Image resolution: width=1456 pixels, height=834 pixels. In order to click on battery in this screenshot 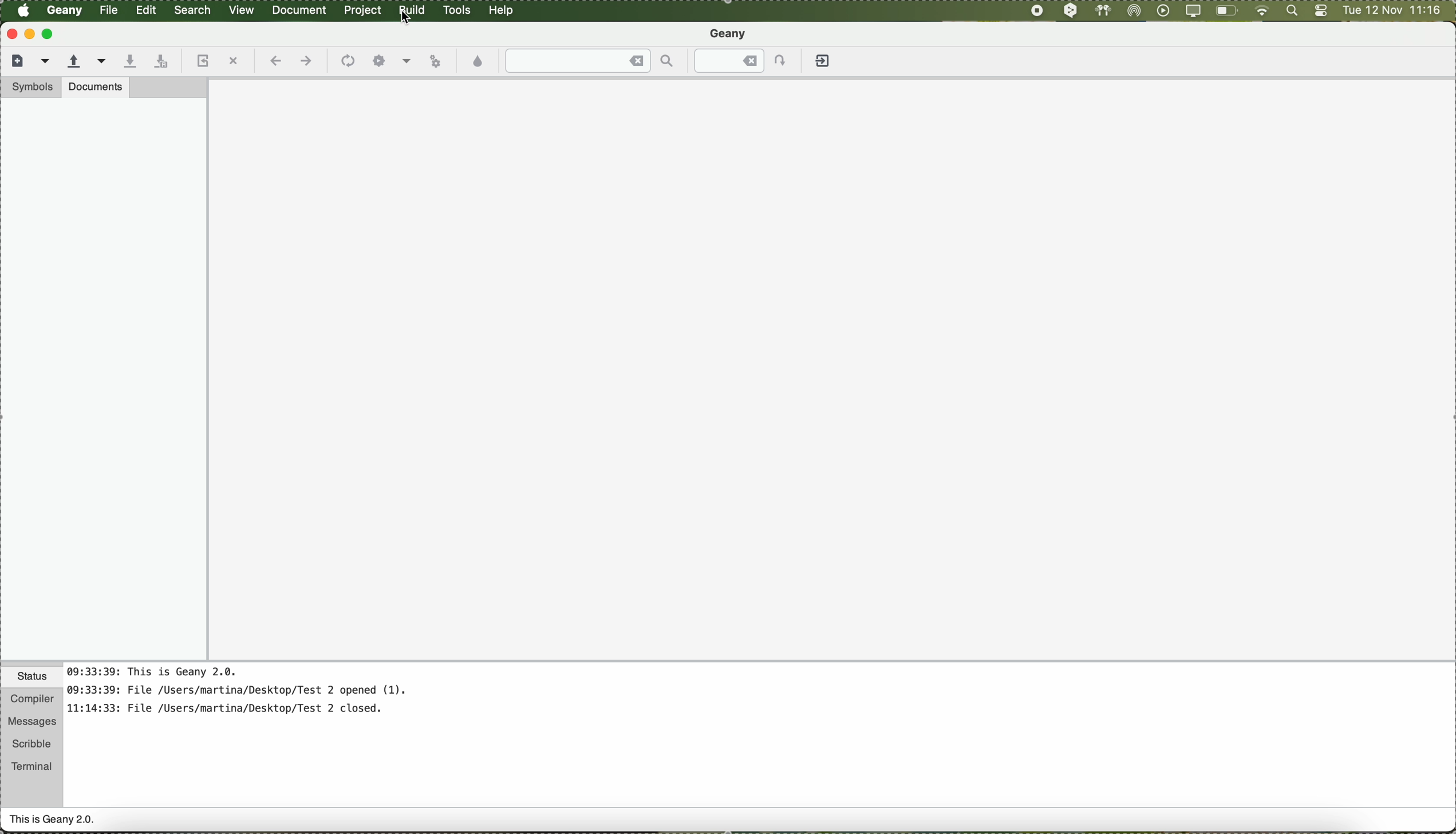, I will do `click(1227, 13)`.